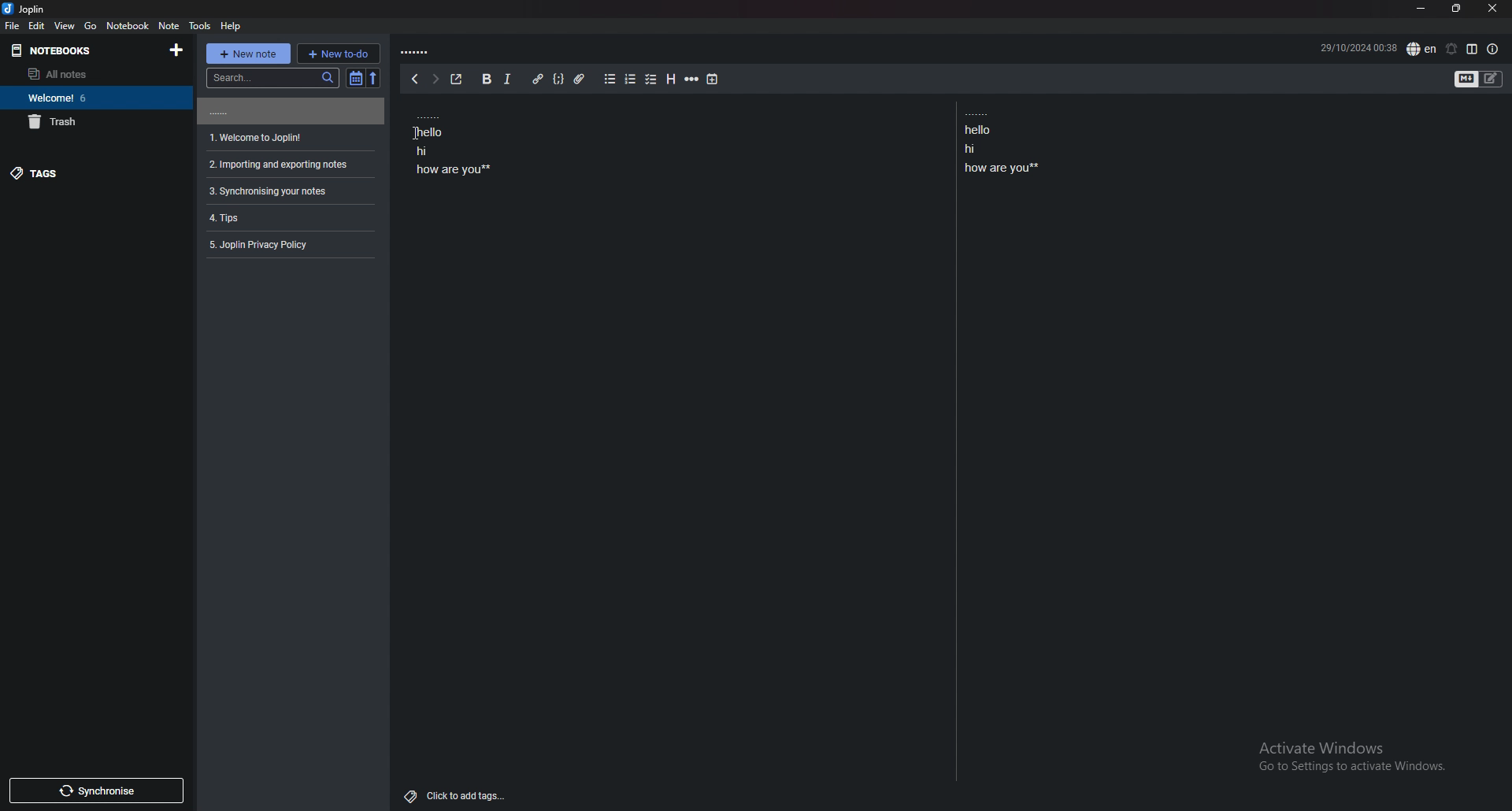  I want to click on add hyperlink, so click(539, 79).